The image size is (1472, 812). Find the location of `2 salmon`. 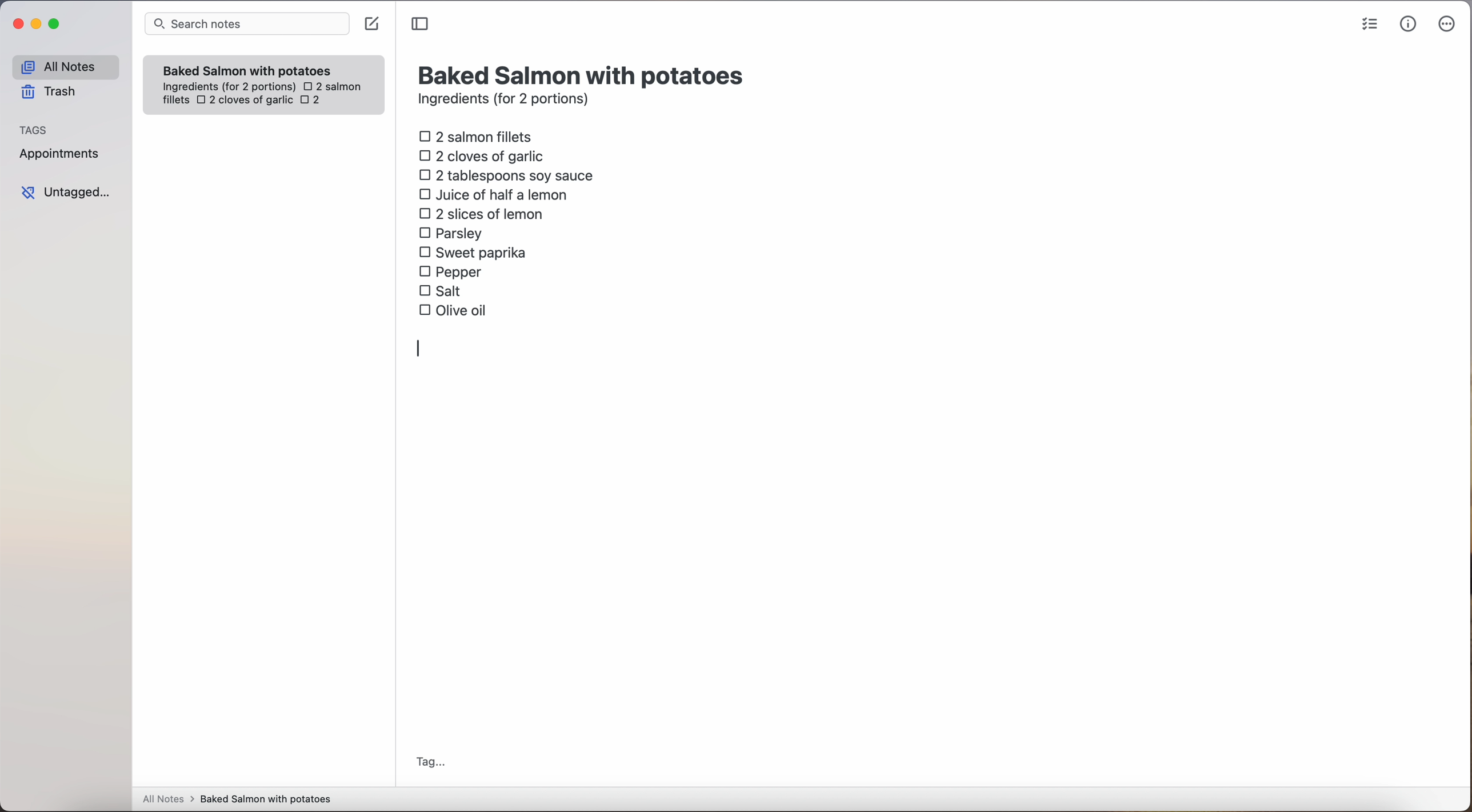

2 salmon is located at coordinates (331, 85).